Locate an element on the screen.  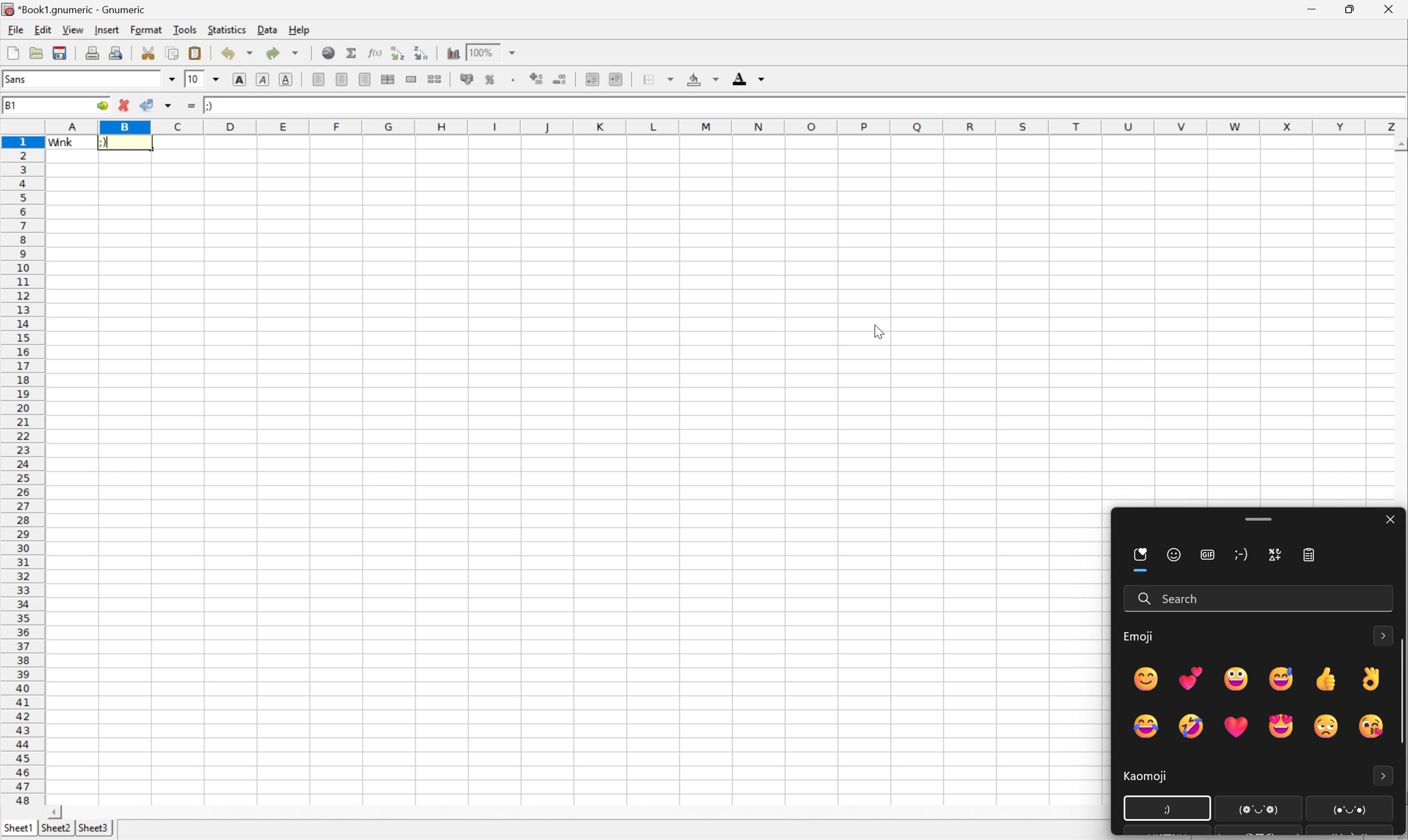
close is located at coordinates (1389, 521).